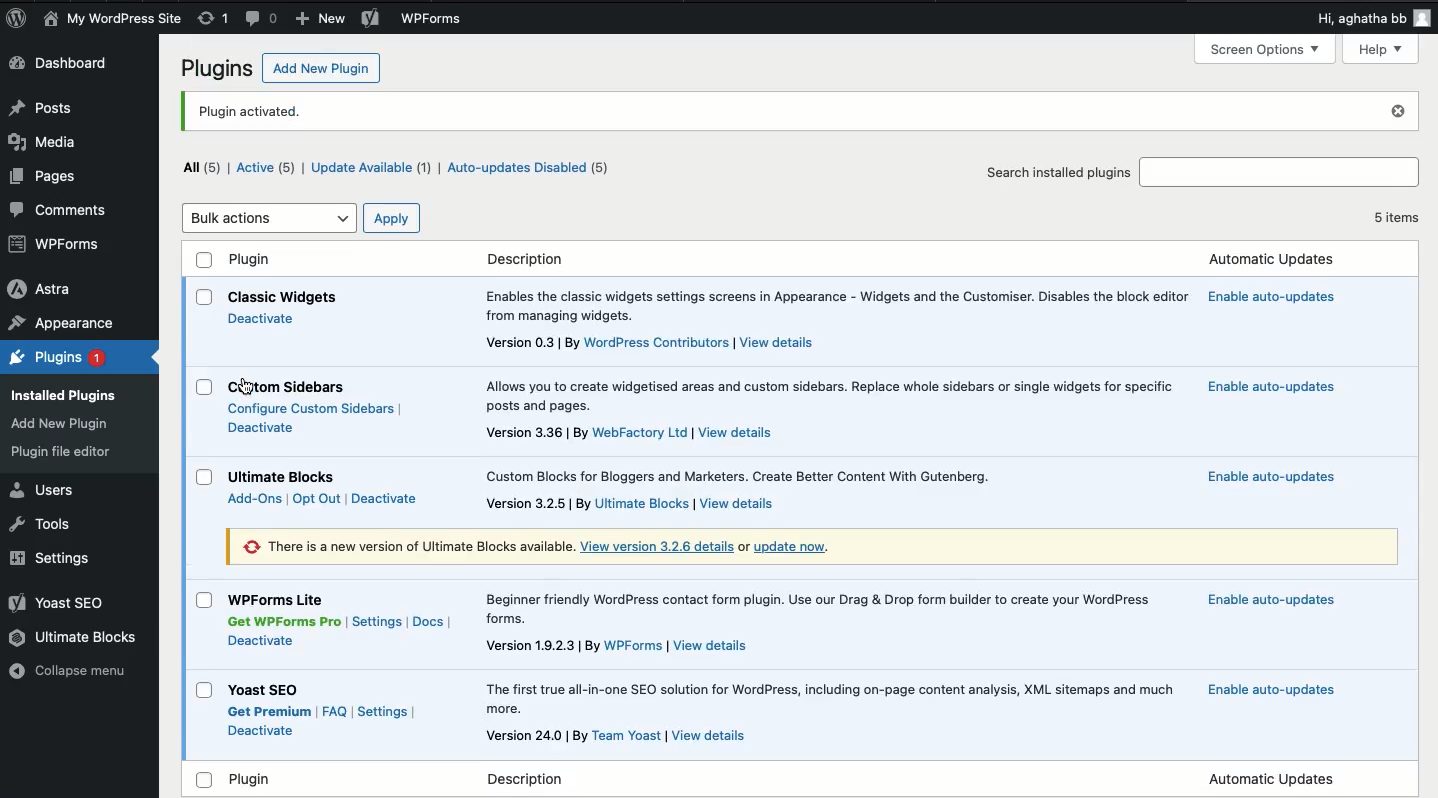  I want to click on Settings, so click(383, 711).